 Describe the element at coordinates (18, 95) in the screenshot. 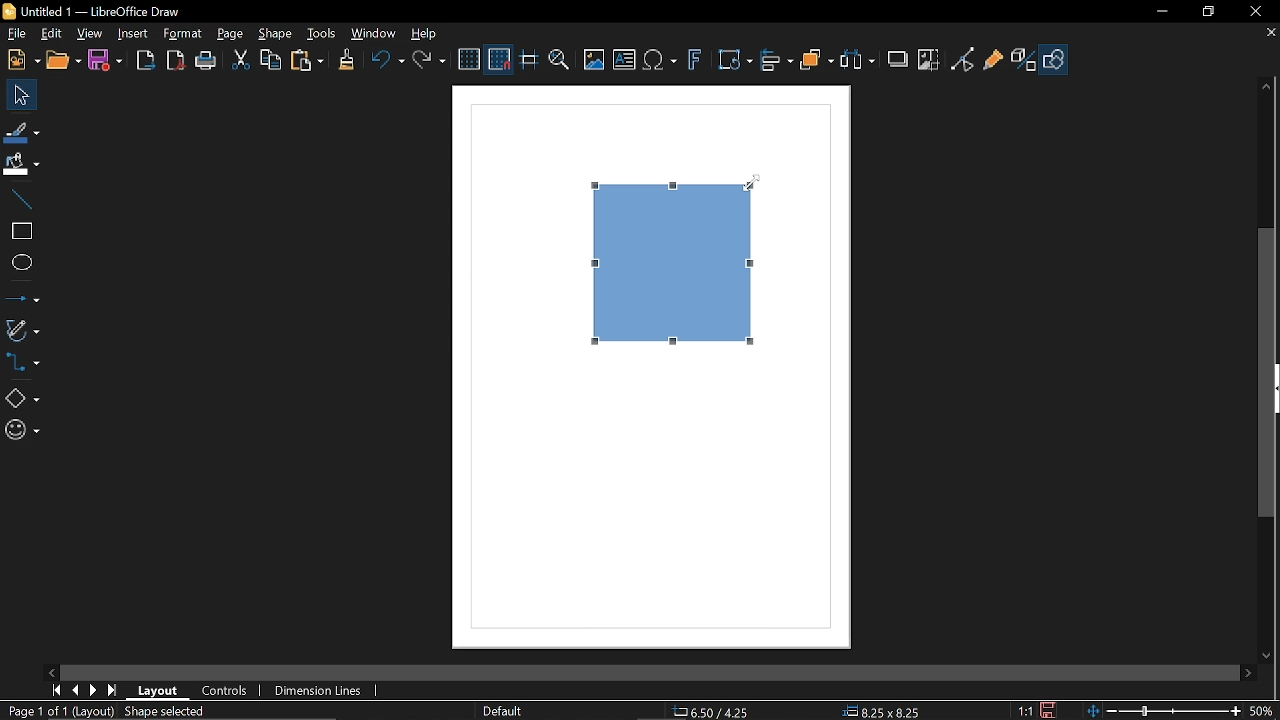

I see `Select tool` at that location.